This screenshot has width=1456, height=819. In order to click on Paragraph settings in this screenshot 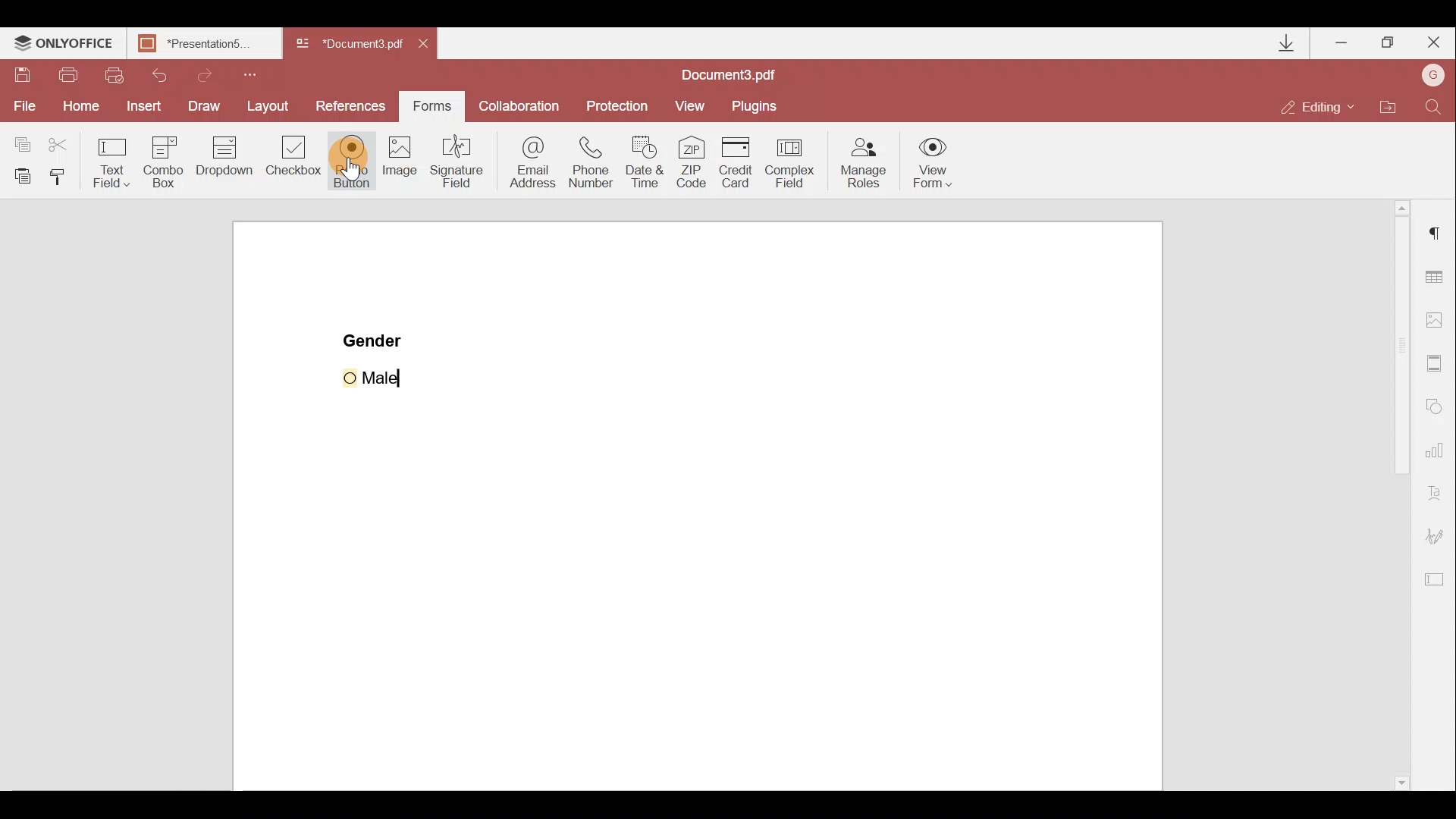, I will do `click(1434, 240)`.